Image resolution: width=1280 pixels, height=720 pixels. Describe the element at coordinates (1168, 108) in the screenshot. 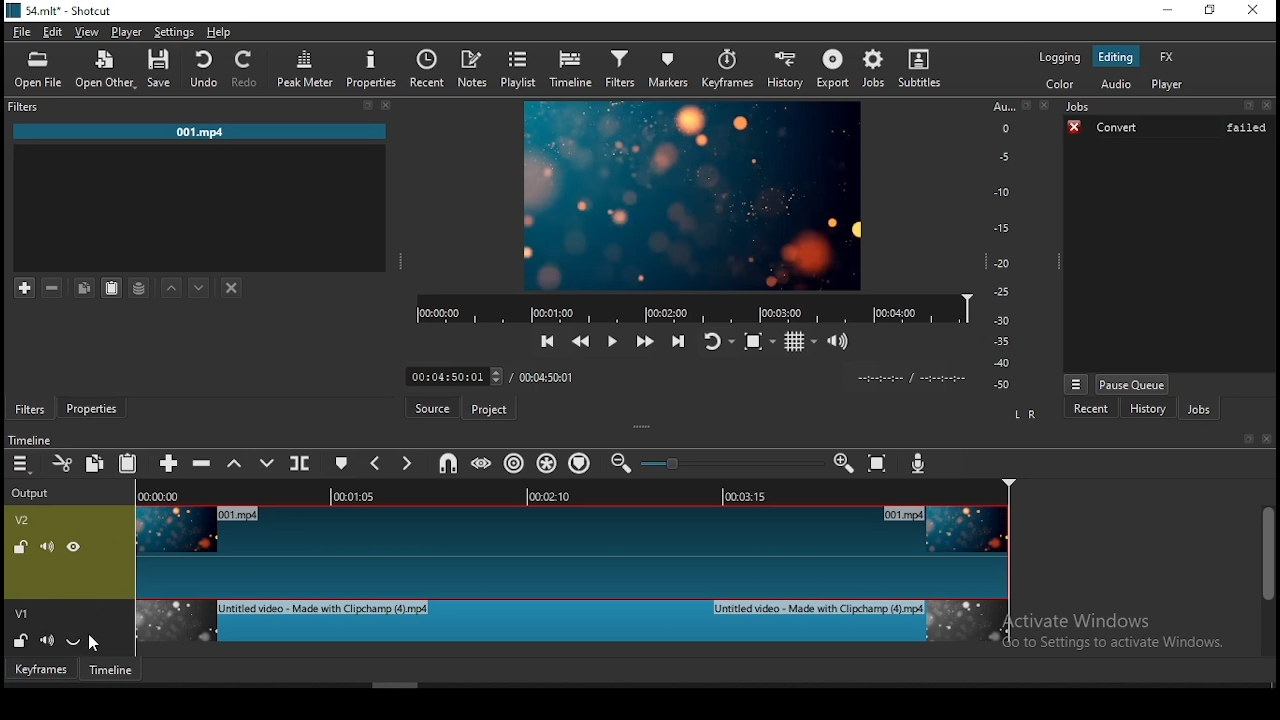

I see `jobs` at that location.